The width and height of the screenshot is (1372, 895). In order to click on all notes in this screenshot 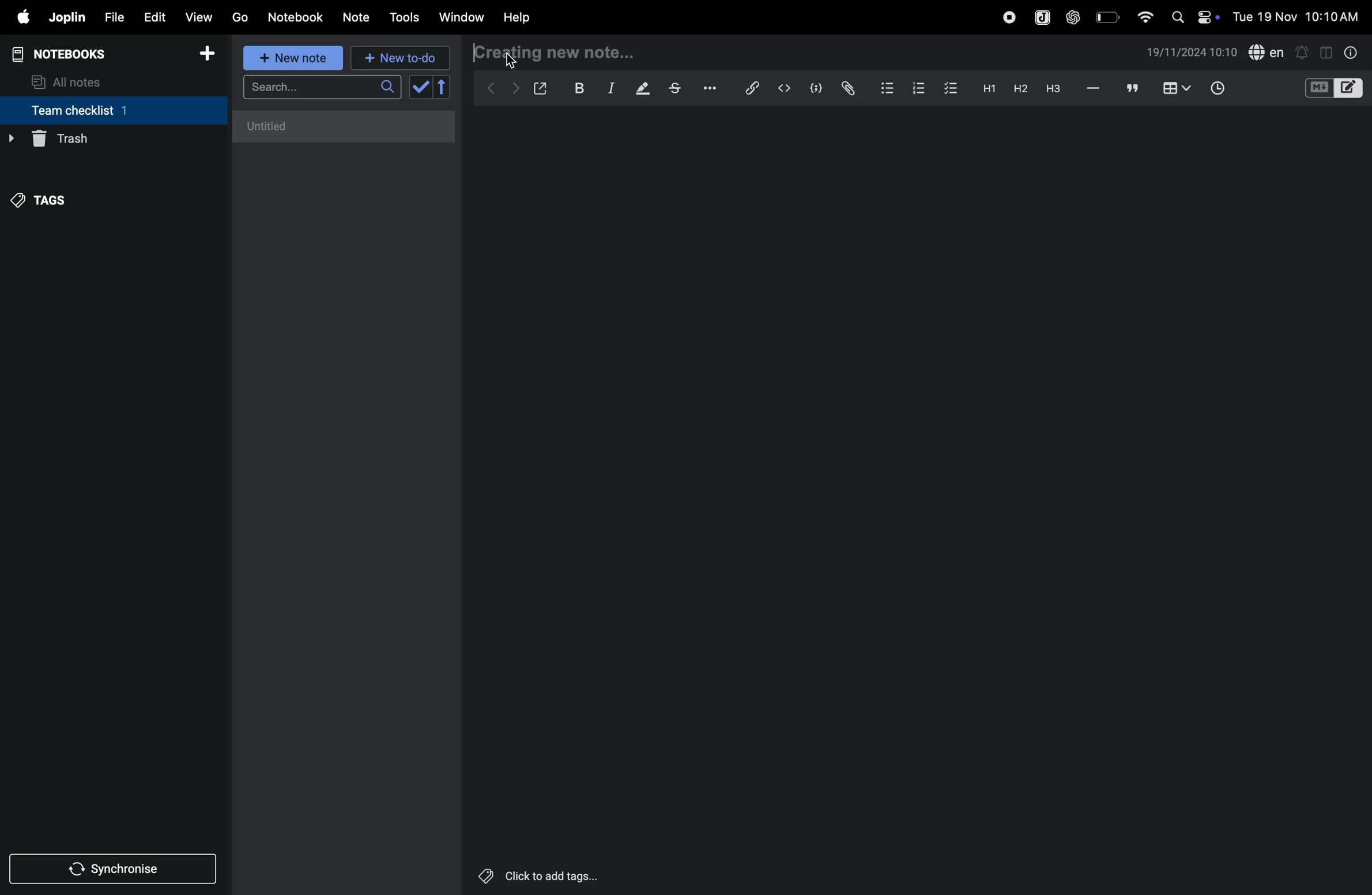, I will do `click(76, 81)`.